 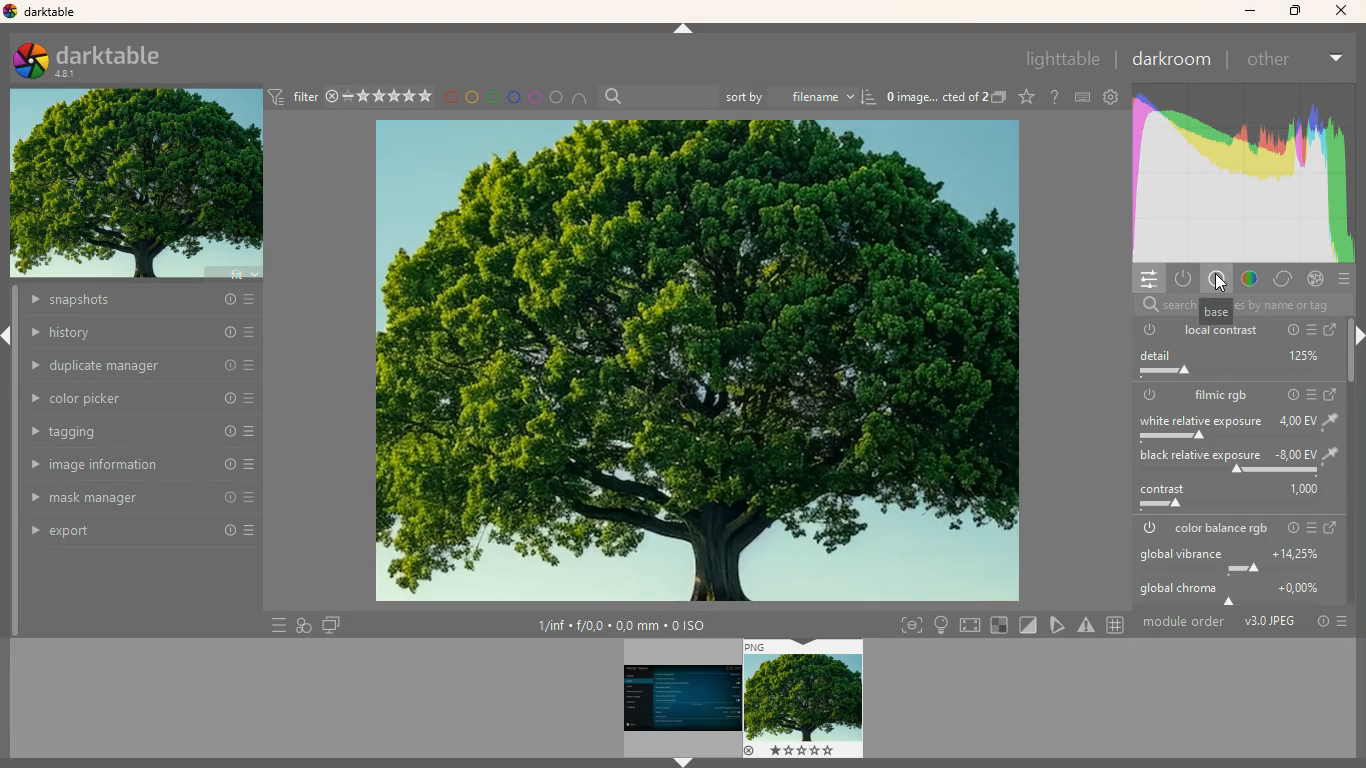 I want to click on doubt, so click(x=1052, y=98).